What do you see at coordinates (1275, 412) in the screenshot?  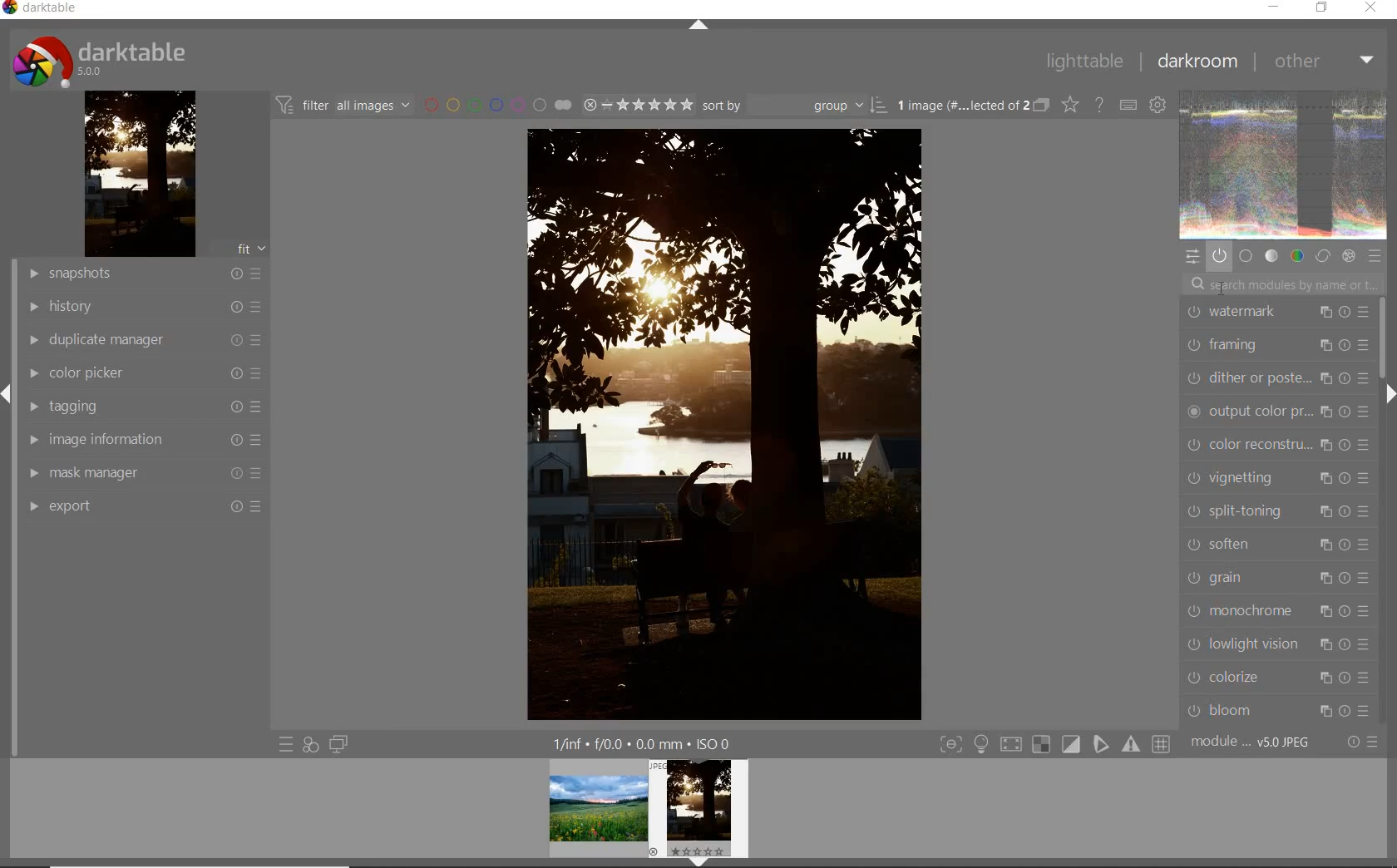 I see `output color preset` at bounding box center [1275, 412].